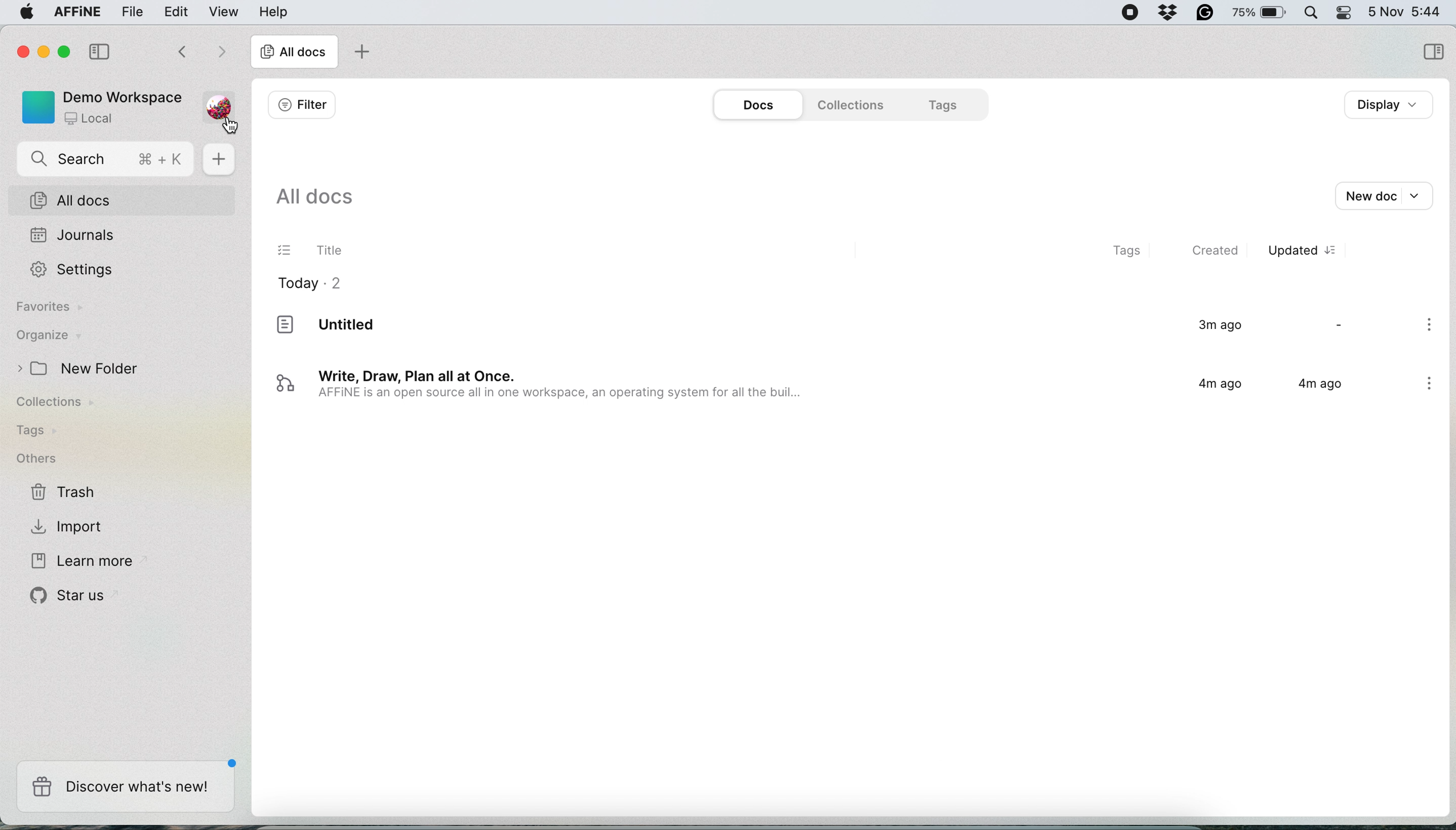  Describe the element at coordinates (48, 337) in the screenshot. I see `organize` at that location.